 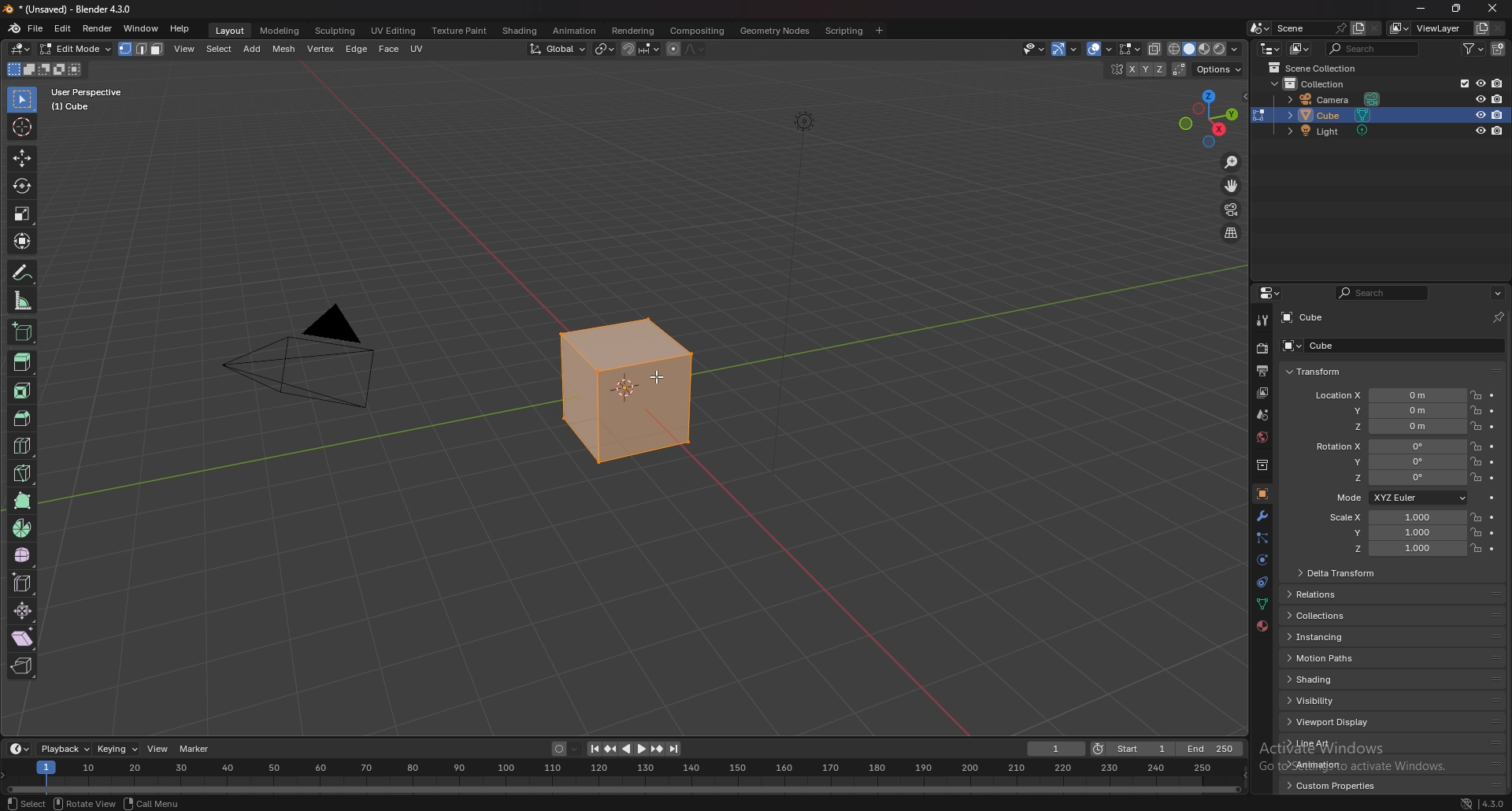 What do you see at coordinates (1394, 533) in the screenshot?
I see `scale y` at bounding box center [1394, 533].